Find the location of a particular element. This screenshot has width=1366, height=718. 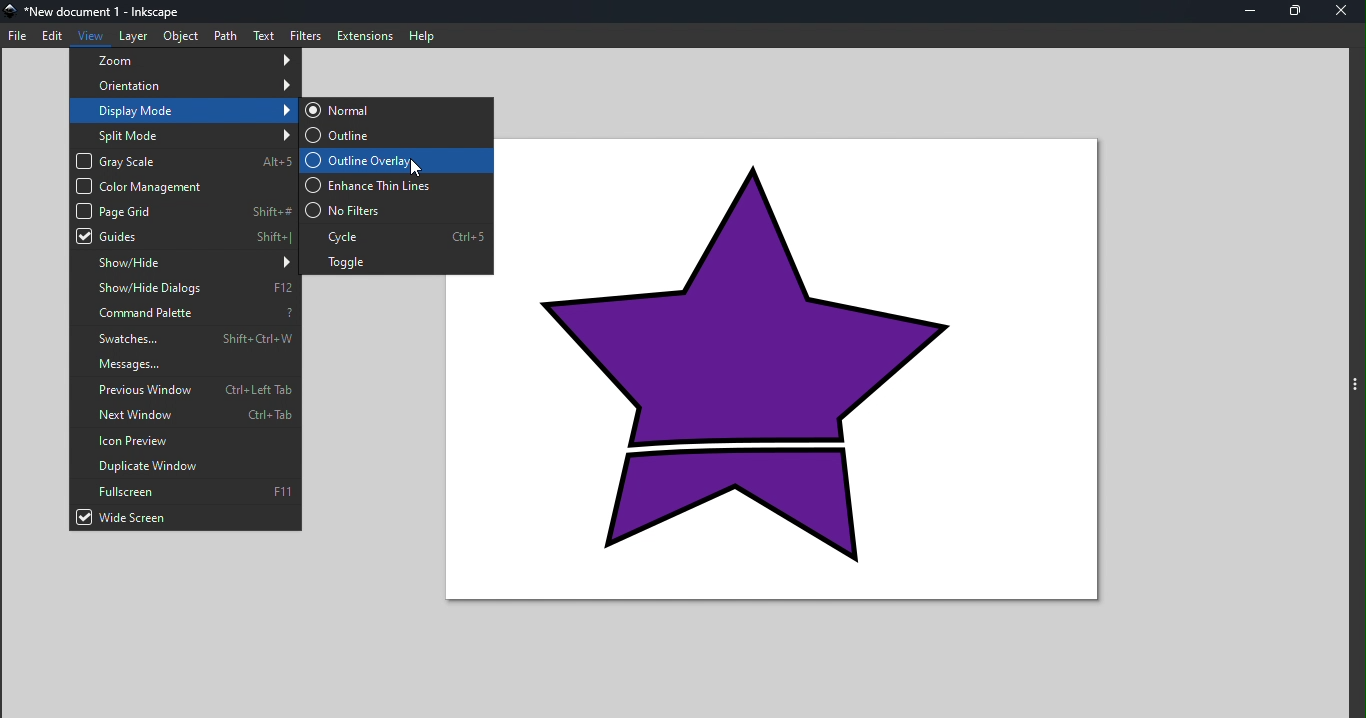

Duplicate window is located at coordinates (181, 465).